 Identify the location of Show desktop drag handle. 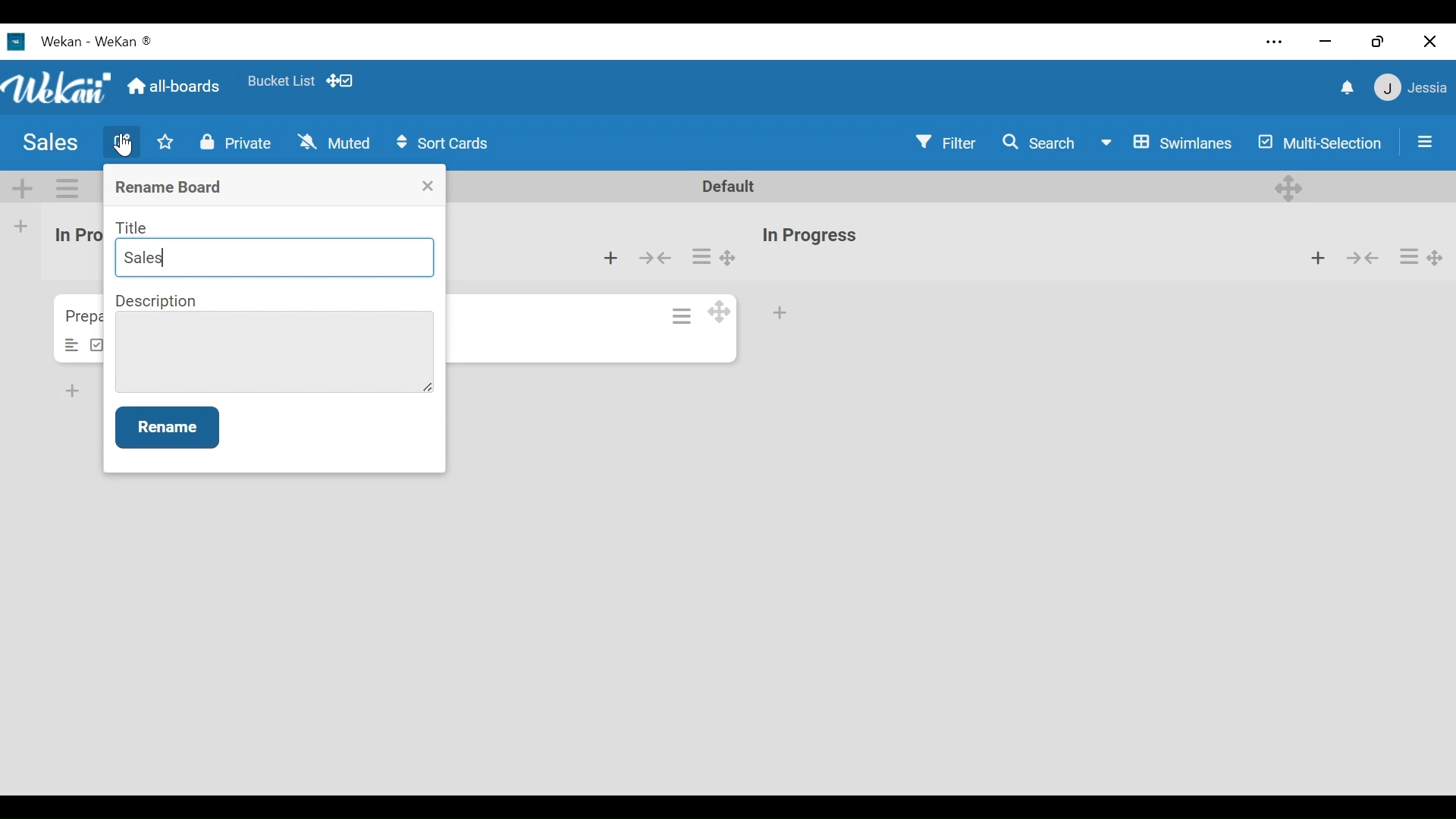
(340, 80).